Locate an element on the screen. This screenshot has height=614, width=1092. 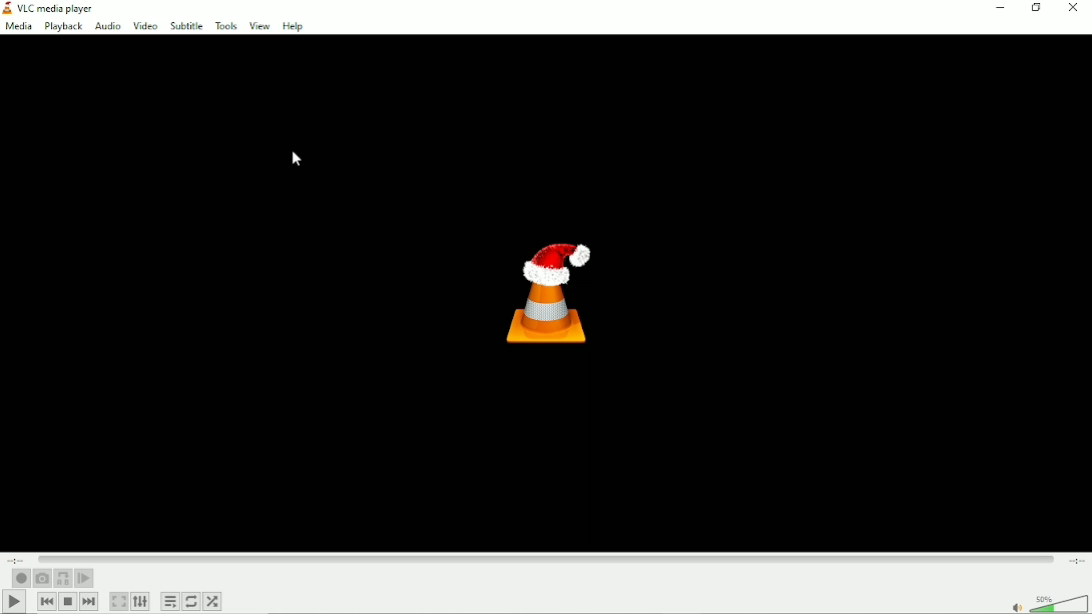
Total duration is located at coordinates (1076, 564).